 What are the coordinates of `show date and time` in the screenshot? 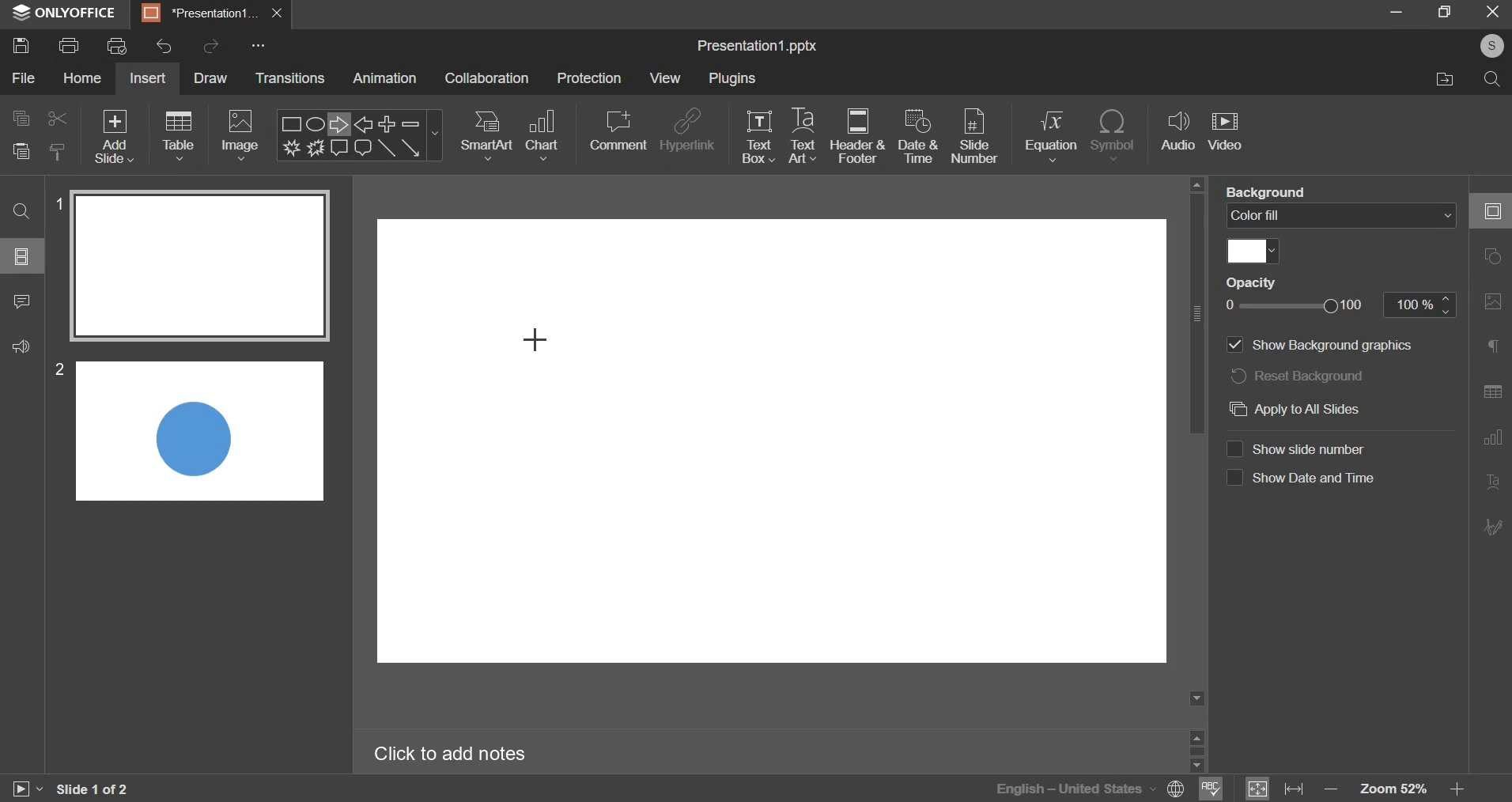 It's located at (1303, 480).